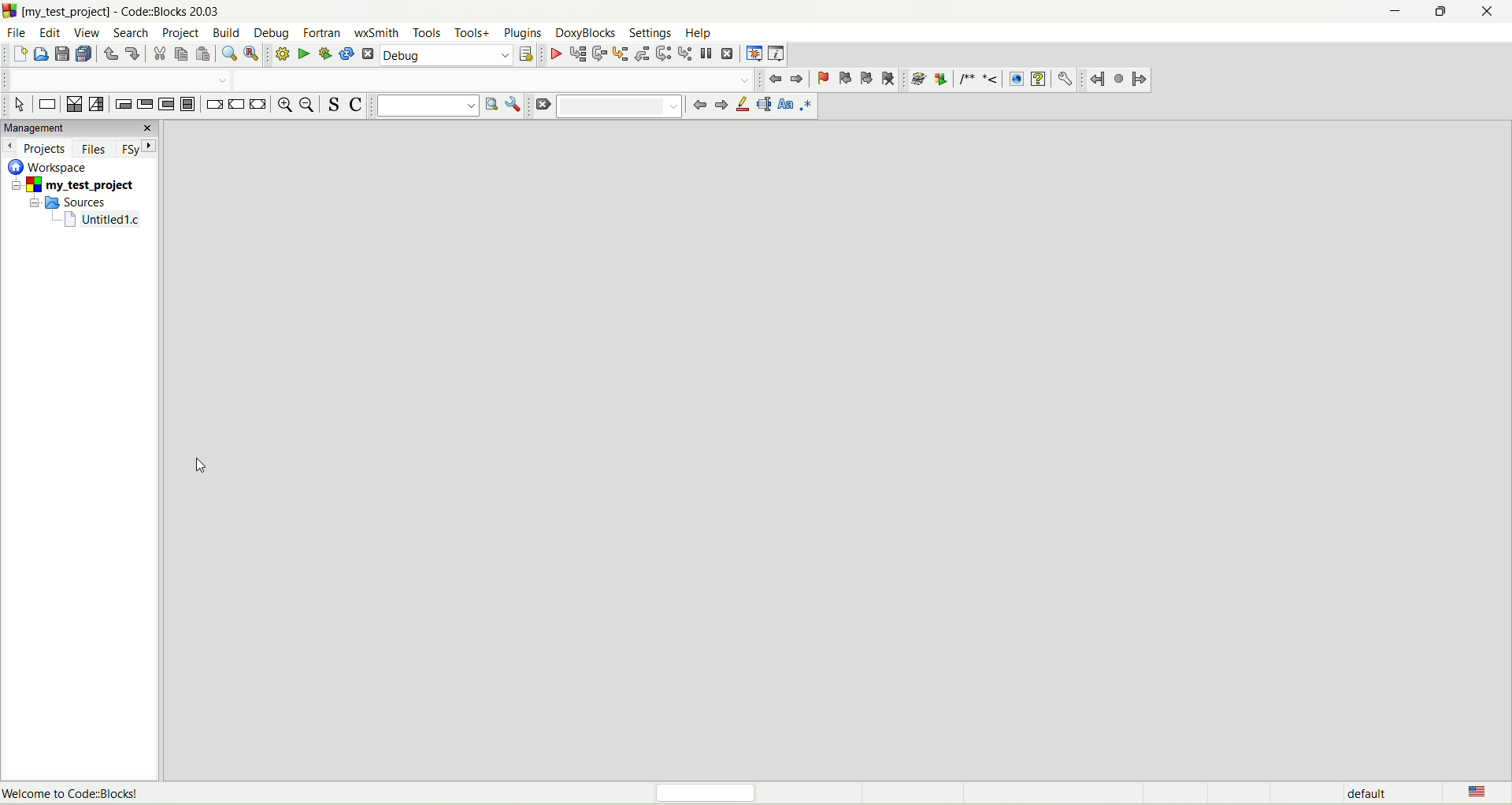 Image resolution: width=1512 pixels, height=805 pixels. Describe the element at coordinates (663, 54) in the screenshot. I see `next instruction` at that location.